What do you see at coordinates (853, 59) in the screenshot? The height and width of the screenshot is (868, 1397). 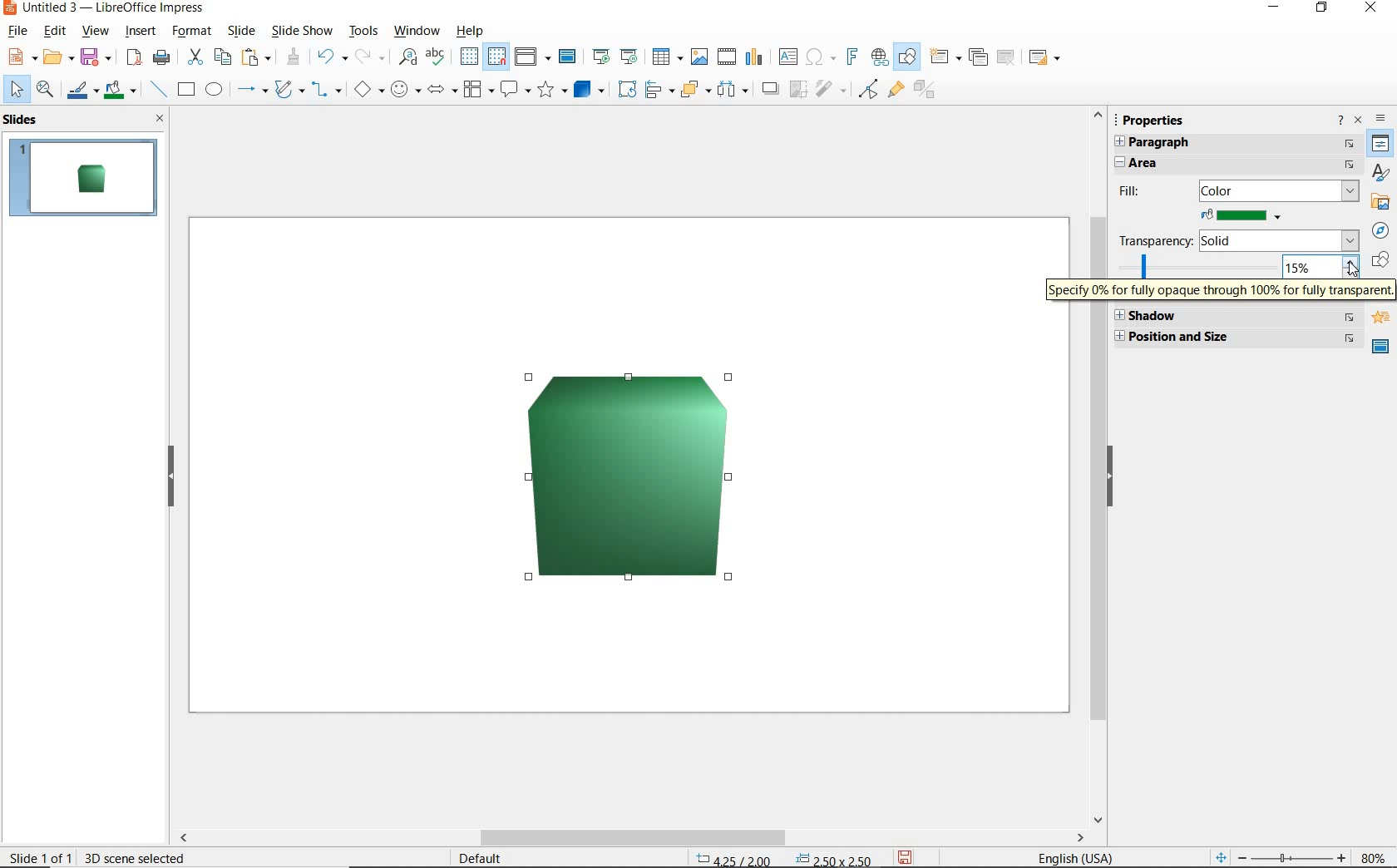 I see `insert frontwork text` at bounding box center [853, 59].